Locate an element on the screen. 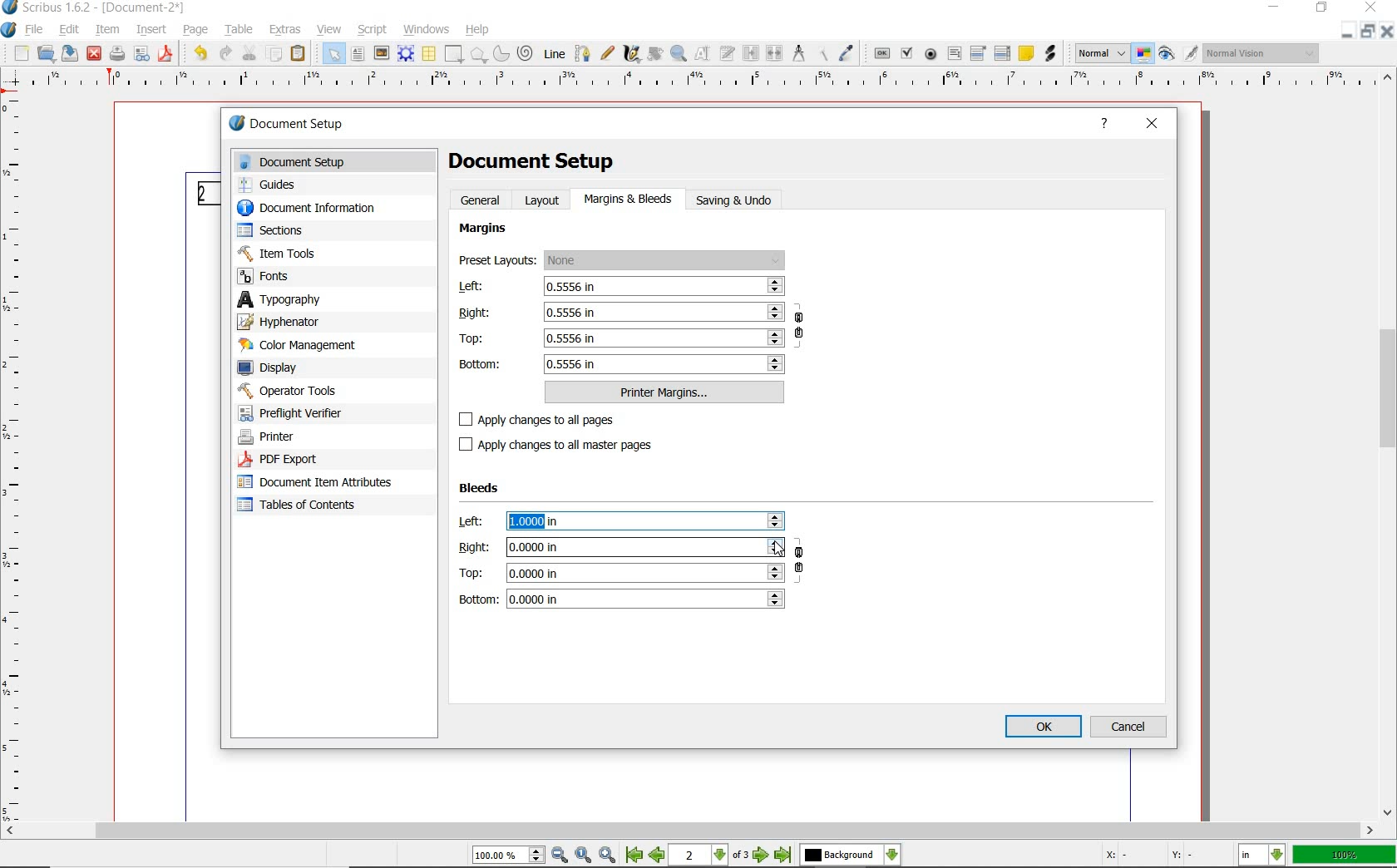 The height and width of the screenshot is (868, 1397). Zoom In is located at coordinates (609, 856).